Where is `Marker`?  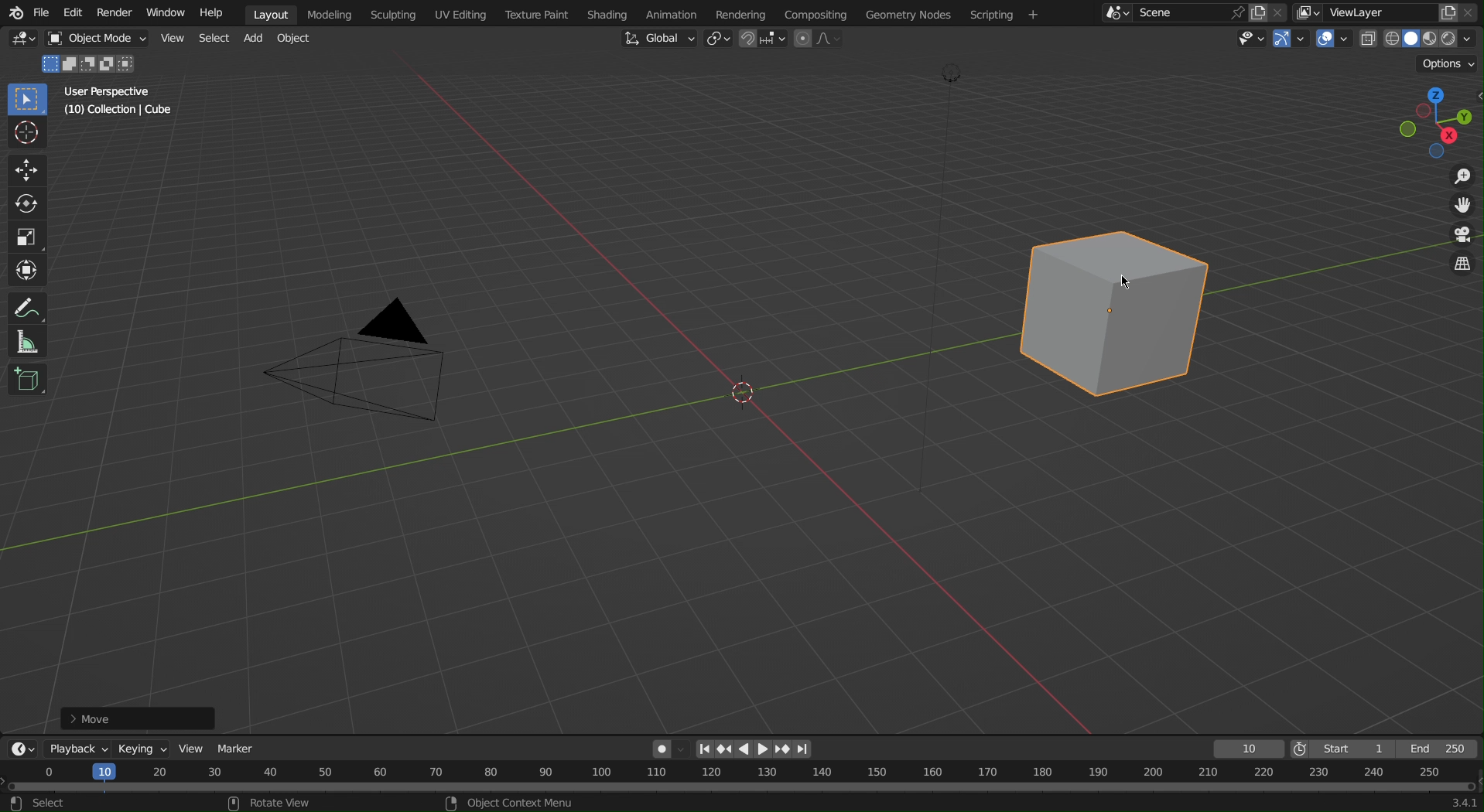 Marker is located at coordinates (238, 745).